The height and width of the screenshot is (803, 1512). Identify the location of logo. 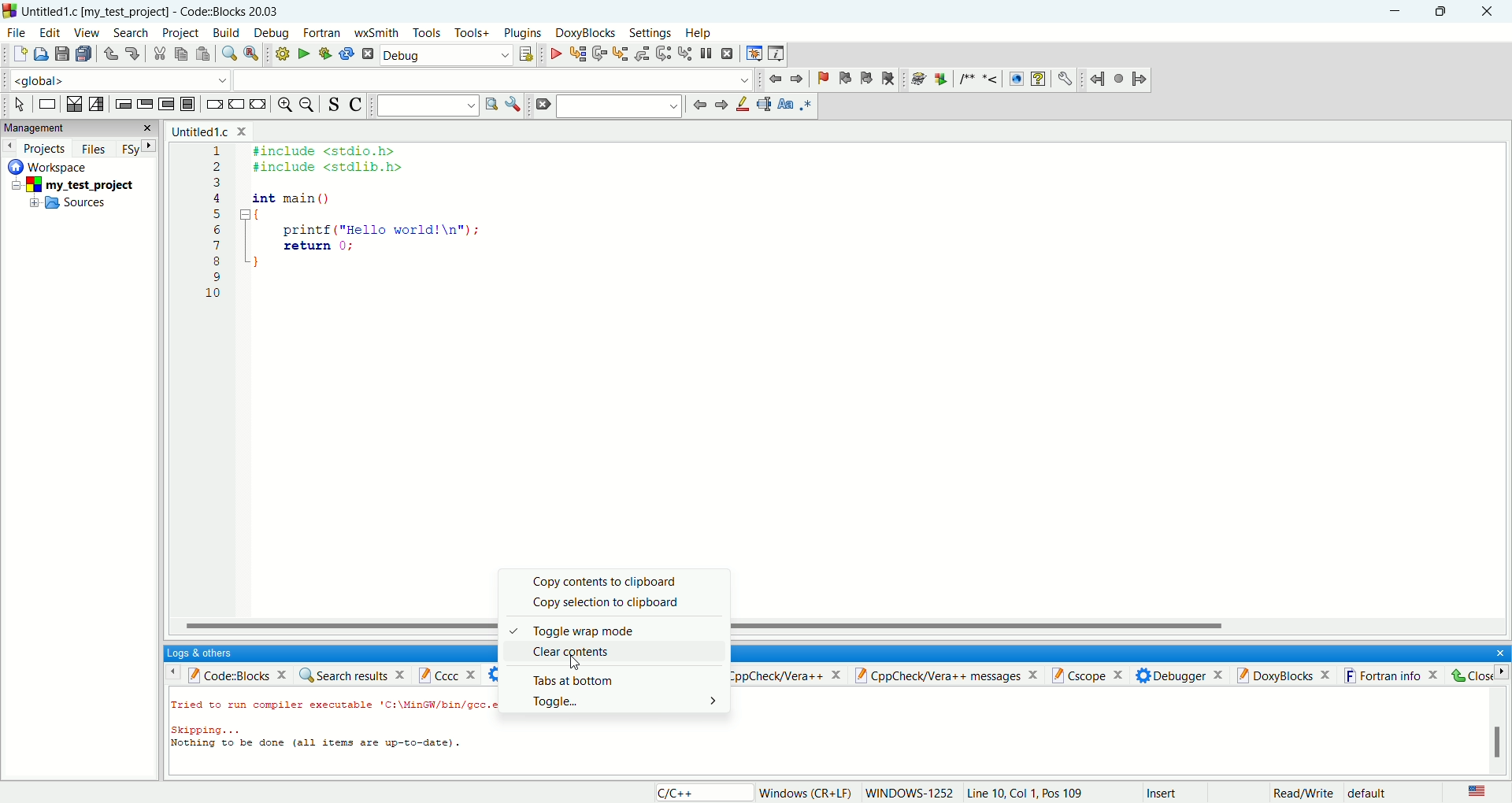
(9, 11).